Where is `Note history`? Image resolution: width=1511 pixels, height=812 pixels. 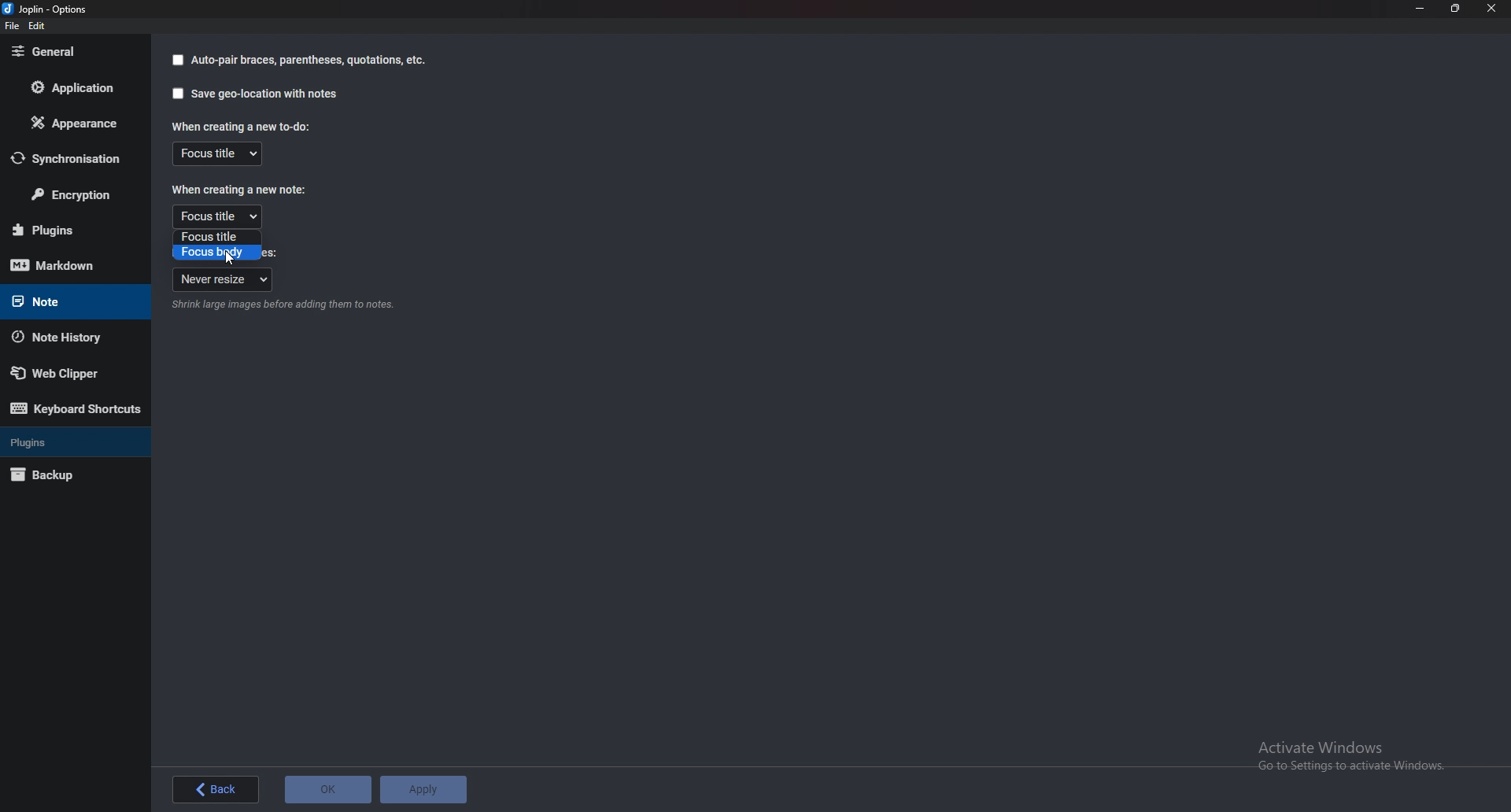
Note history is located at coordinates (63, 338).